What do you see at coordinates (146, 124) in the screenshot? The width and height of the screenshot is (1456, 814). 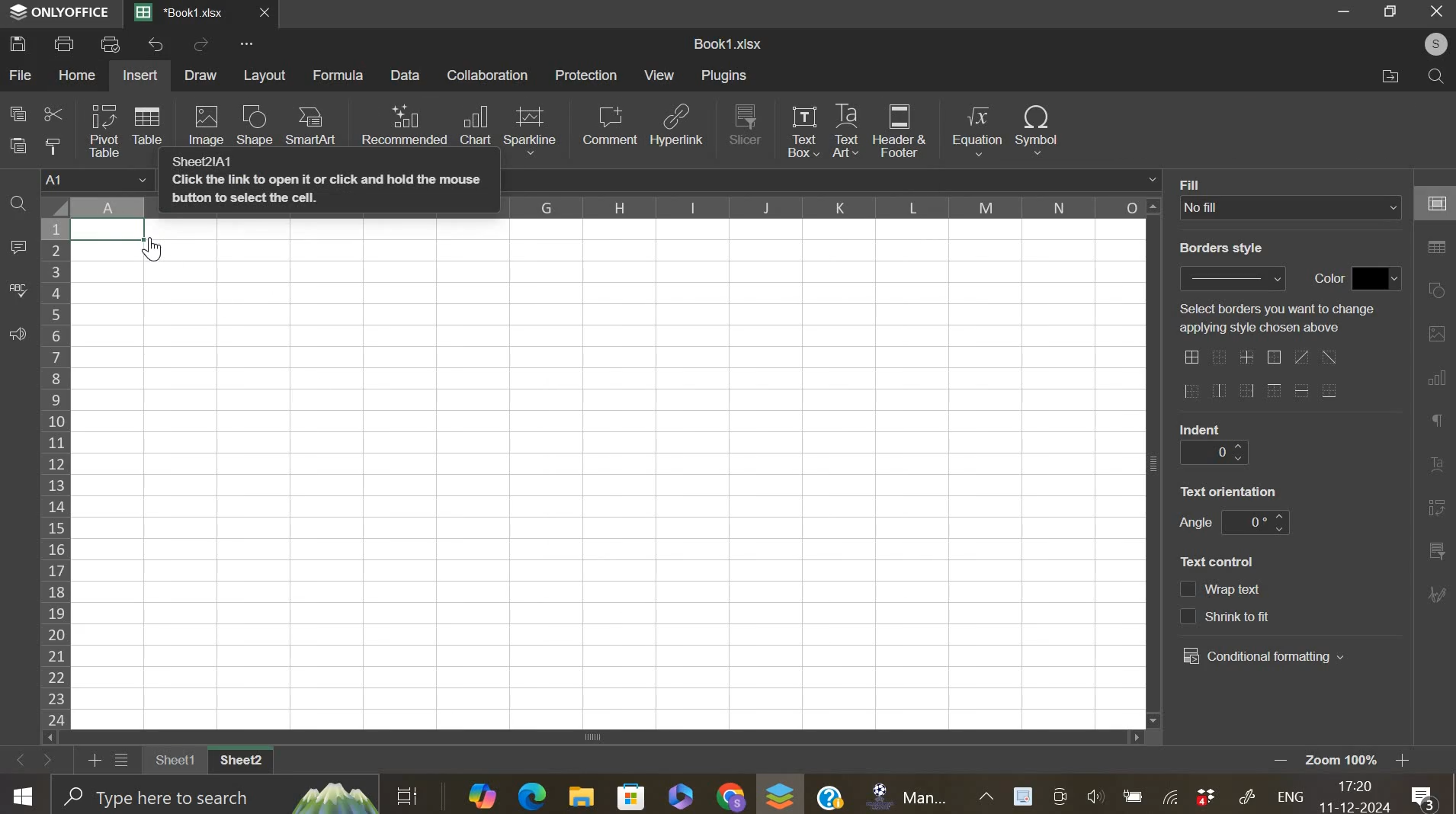 I see `table` at bounding box center [146, 124].